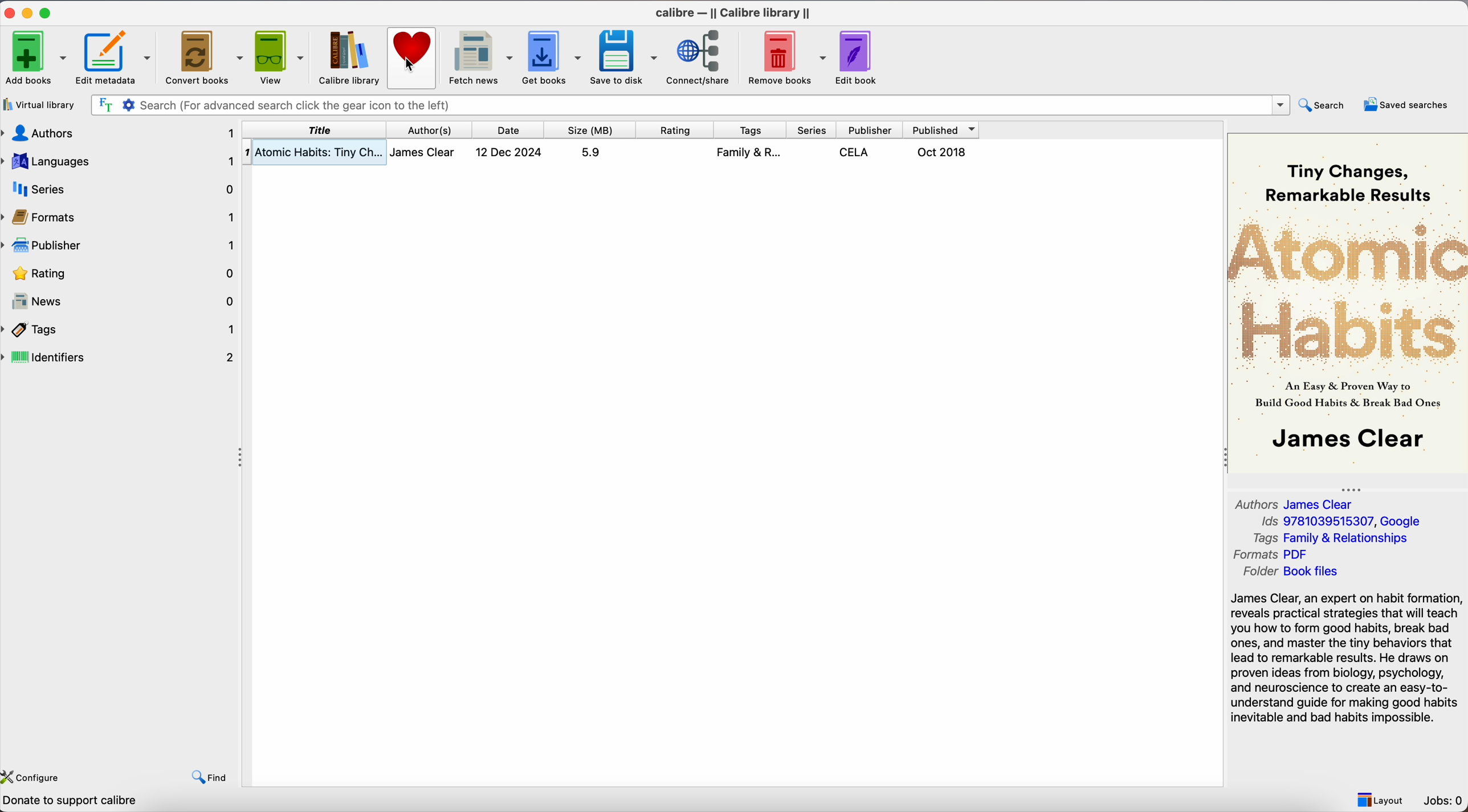 Image resolution: width=1468 pixels, height=812 pixels. I want to click on view, so click(280, 58).